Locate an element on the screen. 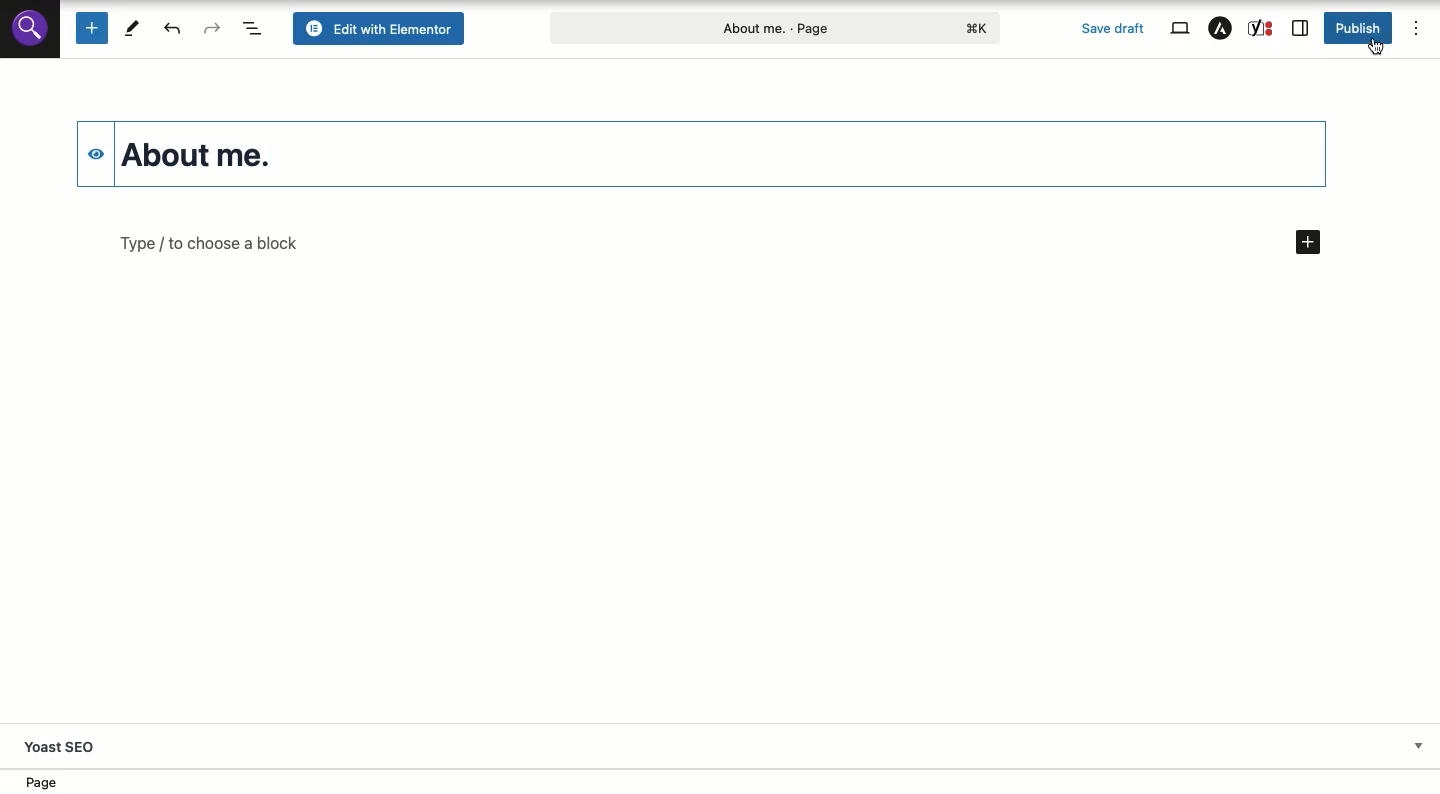 Image resolution: width=1440 pixels, height=794 pixels. Save draft is located at coordinates (1112, 28).